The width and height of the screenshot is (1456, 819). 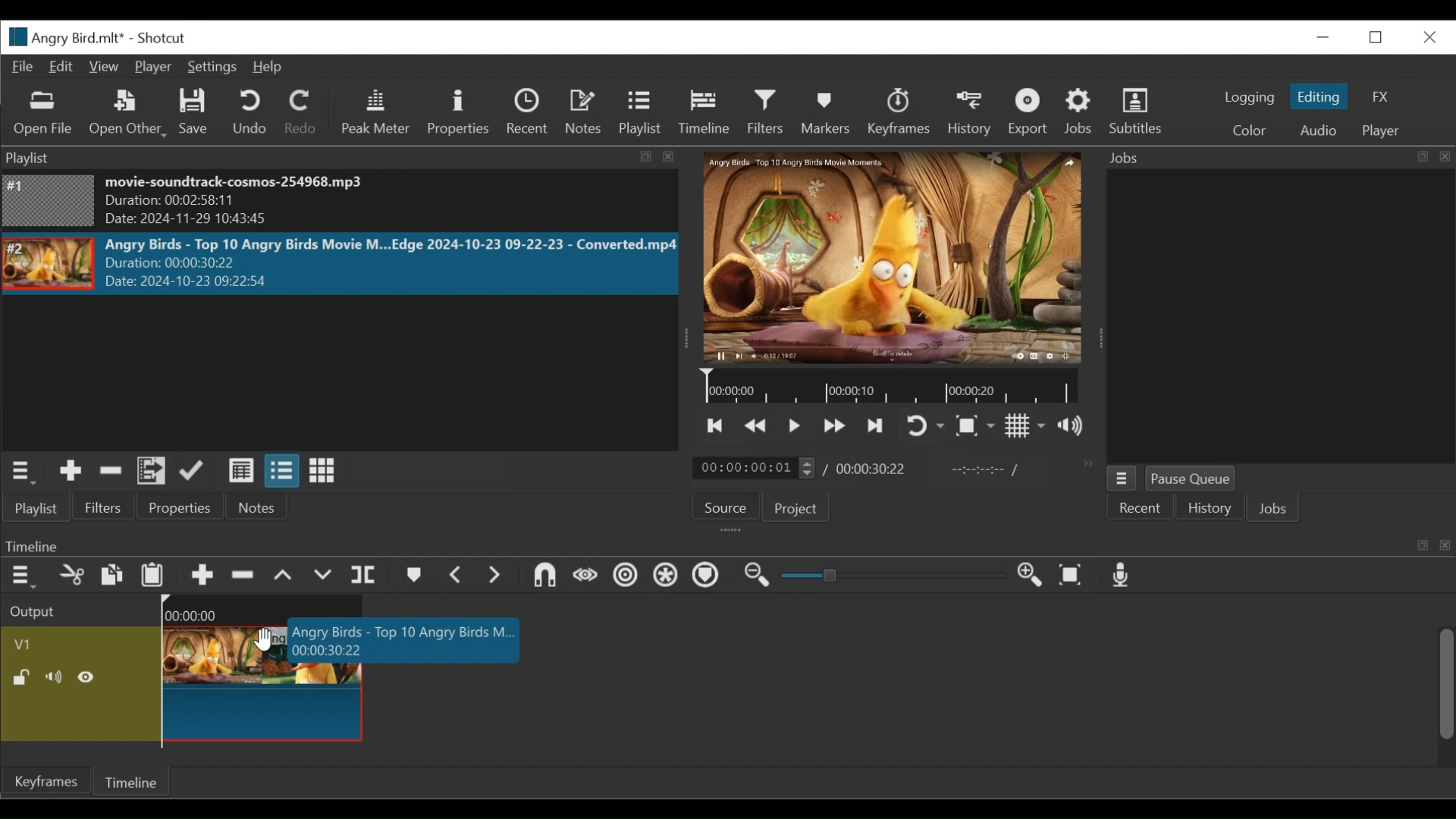 I want to click on Update, so click(x=196, y=471).